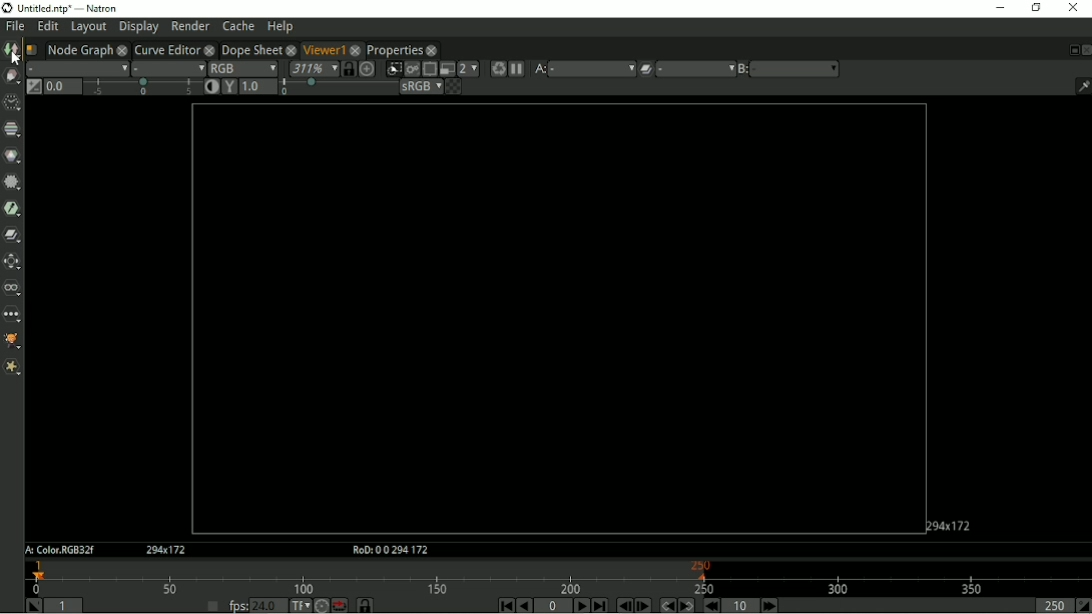 The width and height of the screenshot is (1092, 614). I want to click on Turbo mode, so click(321, 605).